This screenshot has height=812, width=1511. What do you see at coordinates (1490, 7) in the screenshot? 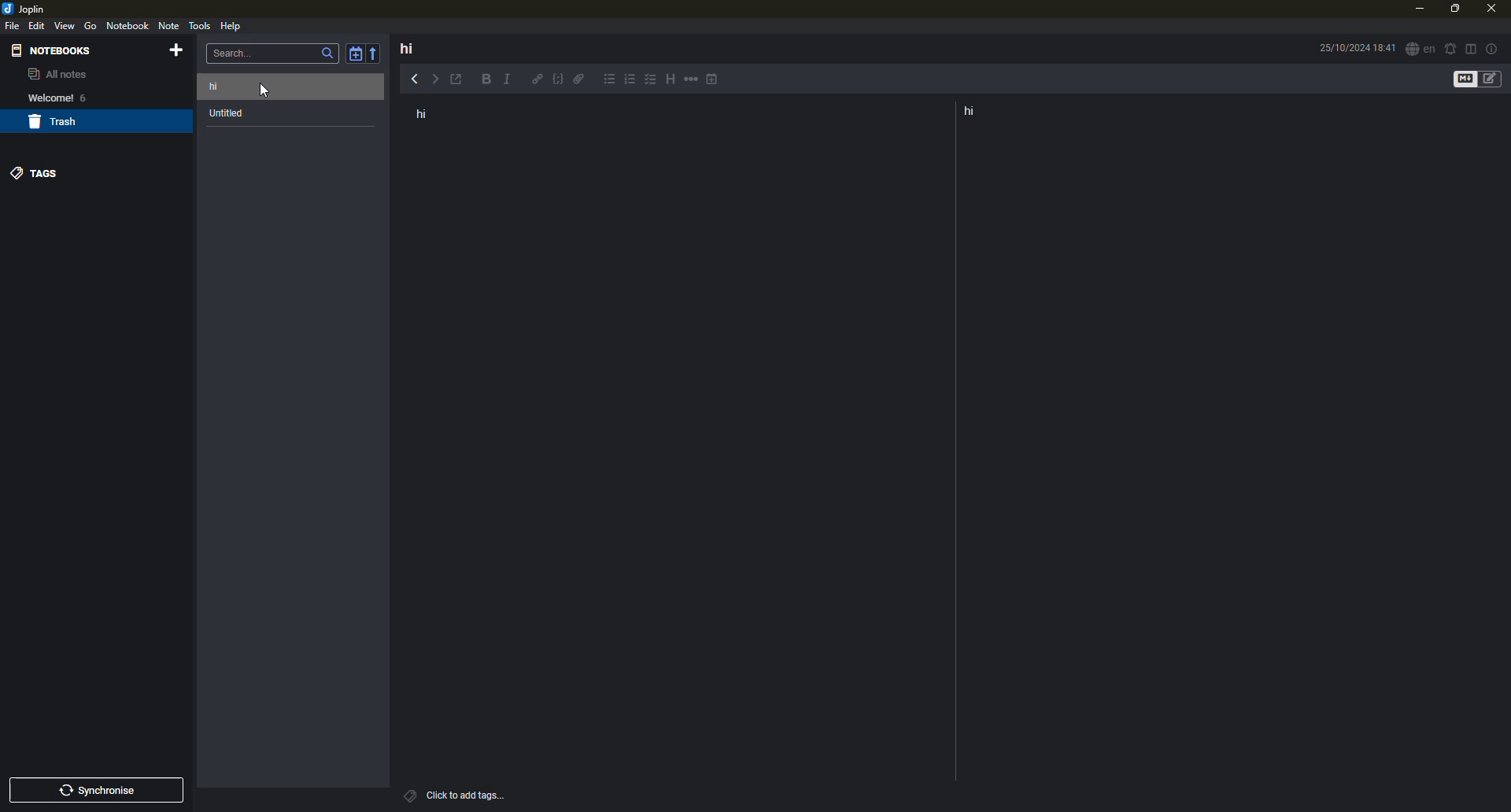
I see `close` at bounding box center [1490, 7].